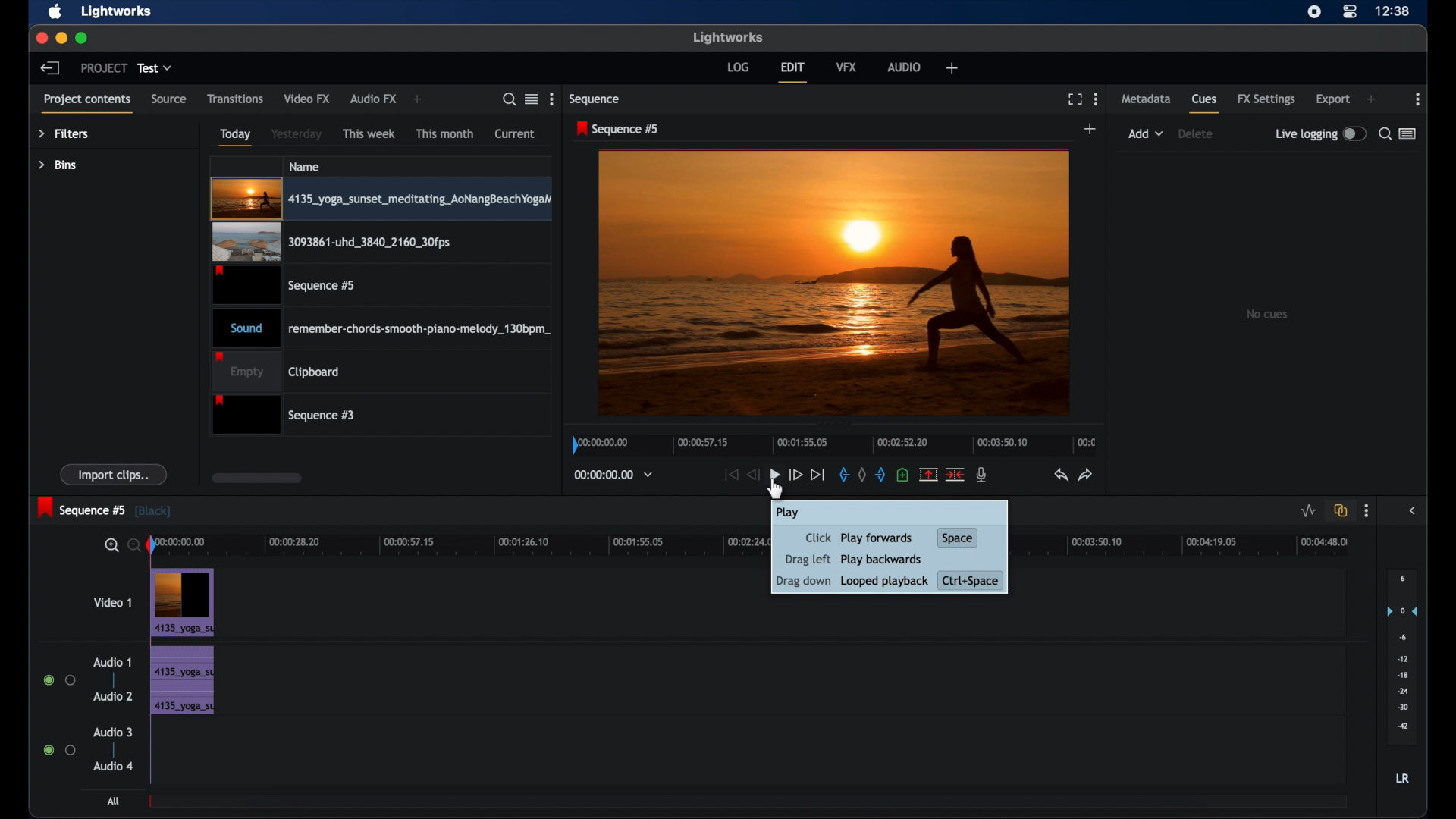  Describe the element at coordinates (58, 165) in the screenshot. I see `bins` at that location.